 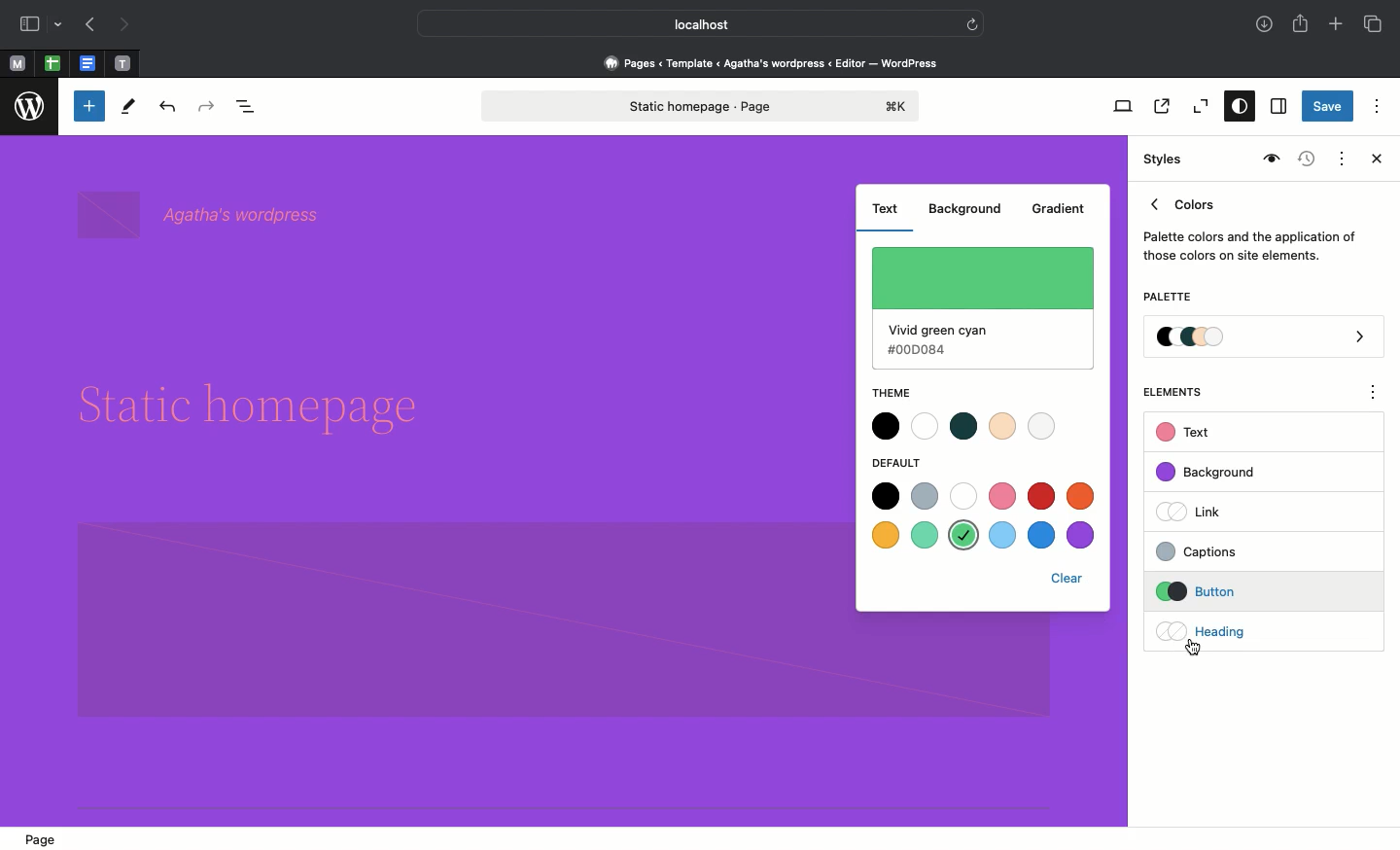 What do you see at coordinates (1165, 159) in the screenshot?
I see `Styles` at bounding box center [1165, 159].